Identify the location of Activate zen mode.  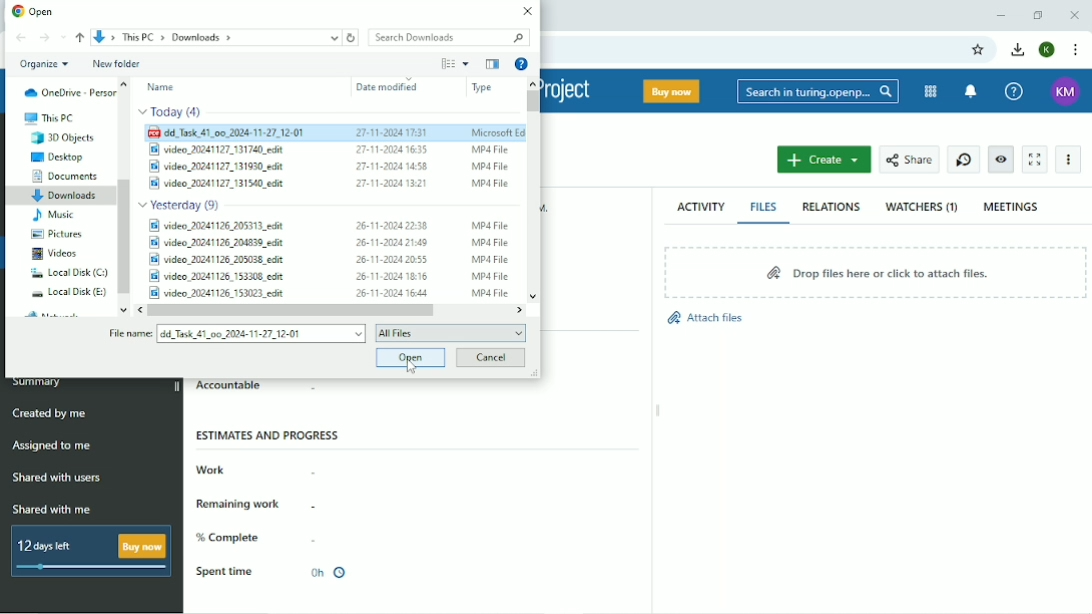
(1035, 159).